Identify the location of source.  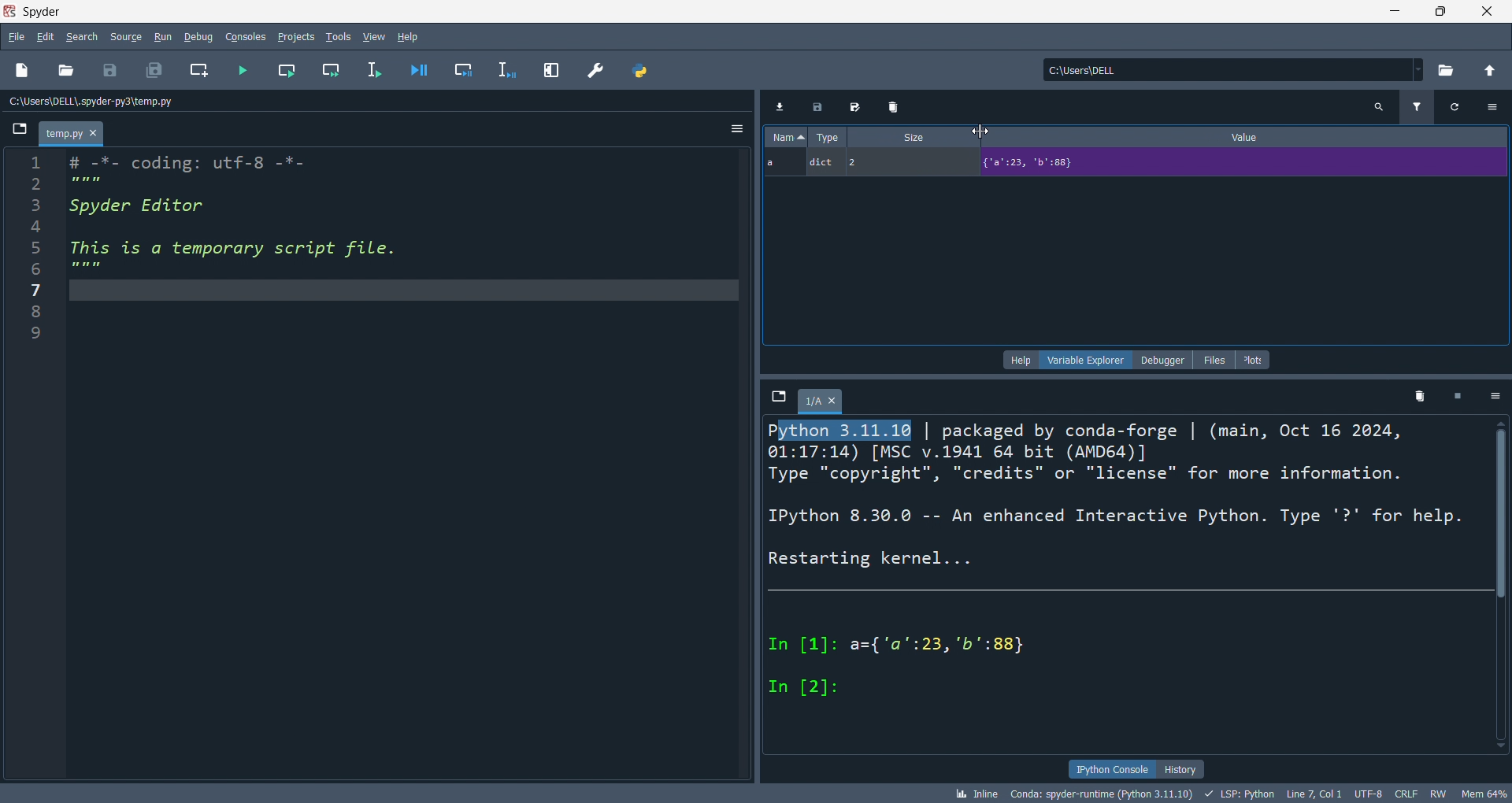
(124, 35).